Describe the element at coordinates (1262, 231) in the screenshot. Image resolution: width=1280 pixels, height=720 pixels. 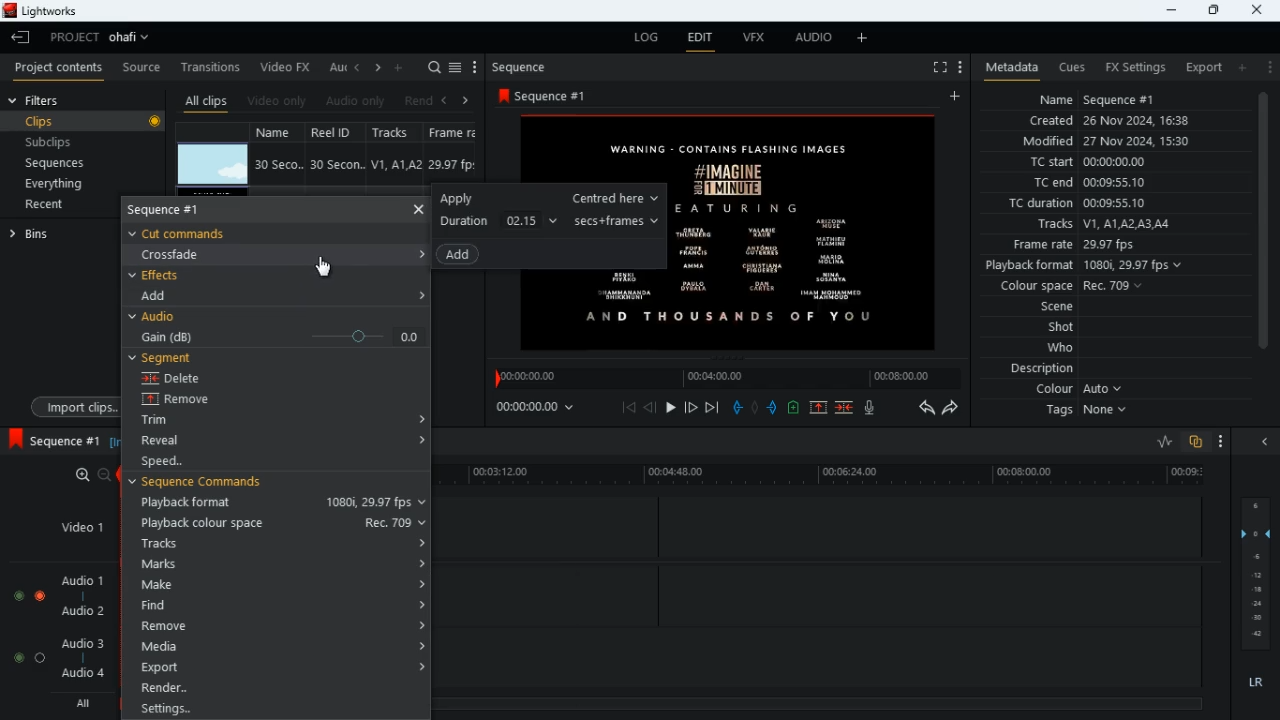
I see `scroll` at that location.